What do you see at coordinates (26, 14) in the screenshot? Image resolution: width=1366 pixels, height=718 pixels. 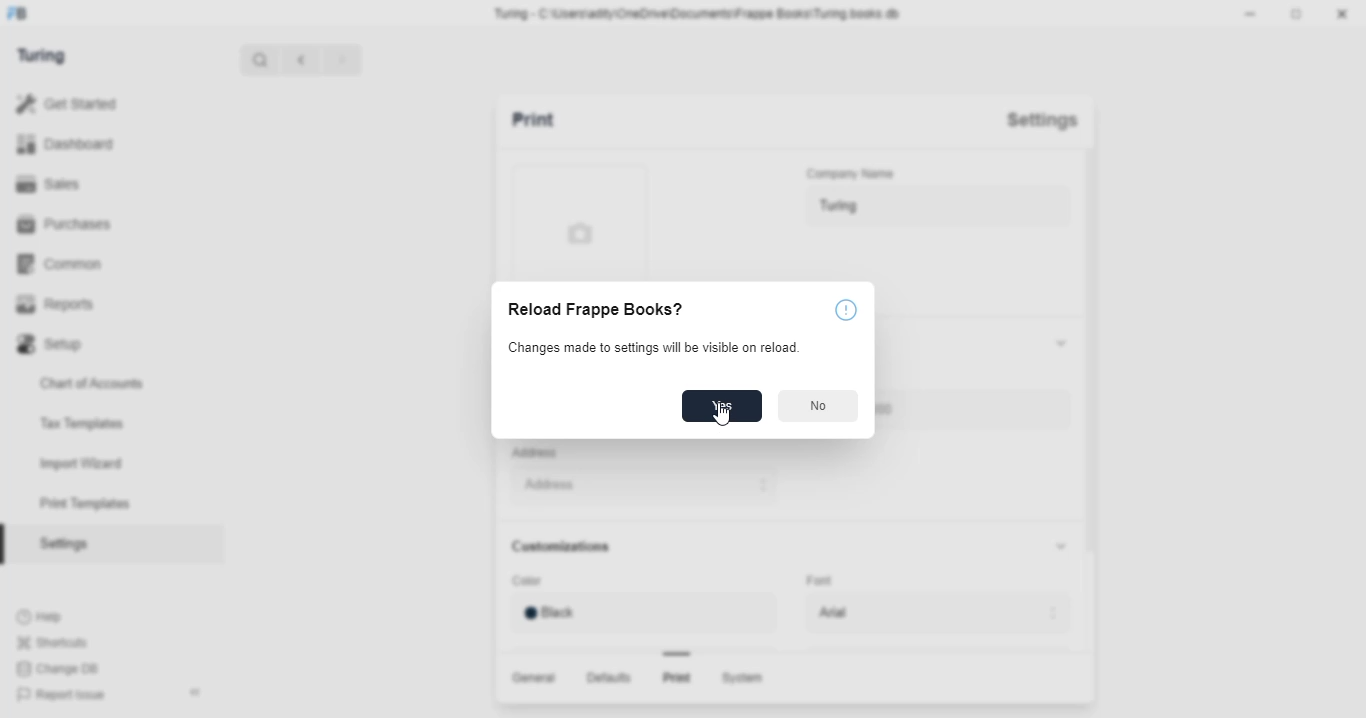 I see `frappebooks logo` at bounding box center [26, 14].